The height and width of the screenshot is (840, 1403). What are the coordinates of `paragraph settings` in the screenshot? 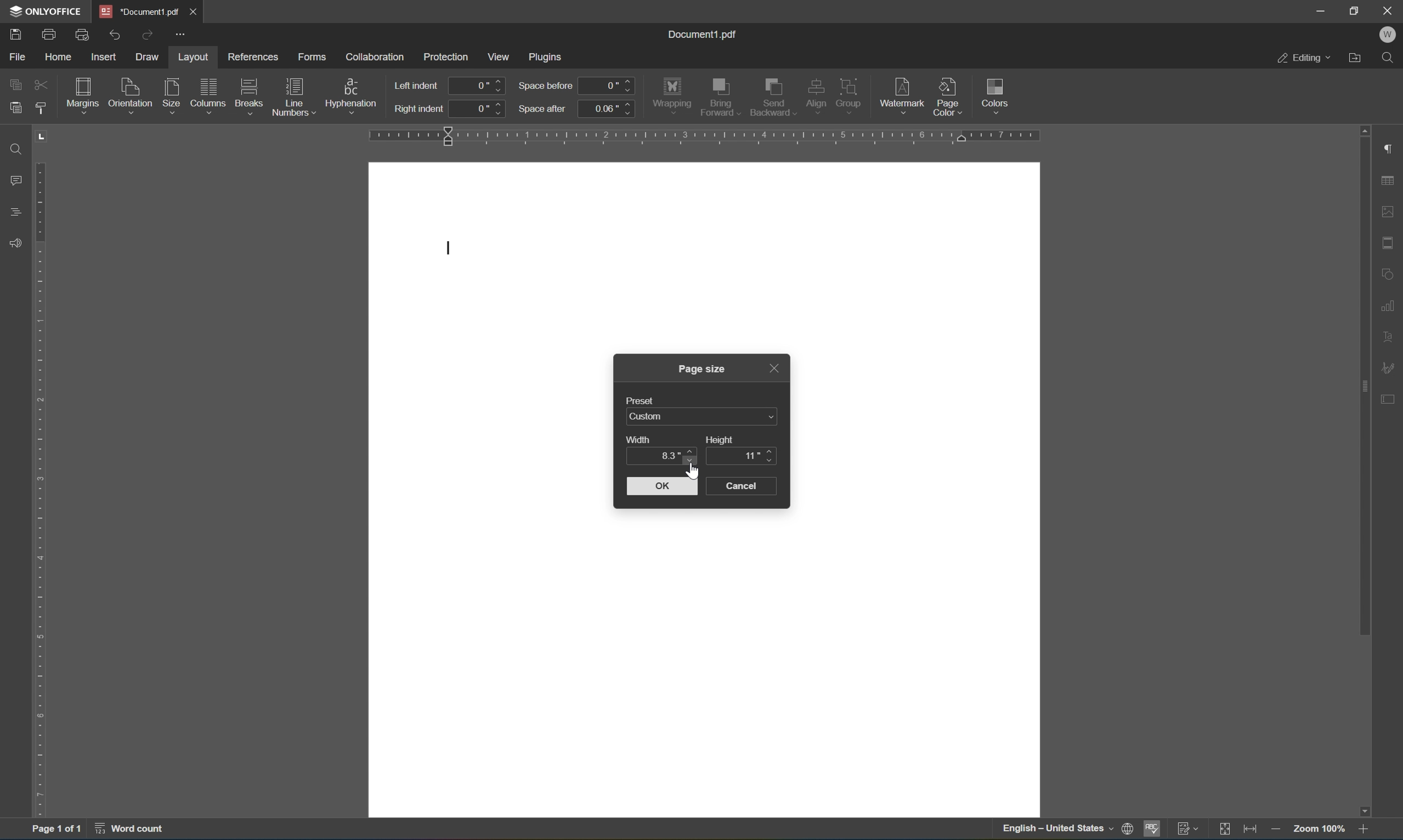 It's located at (1391, 148).